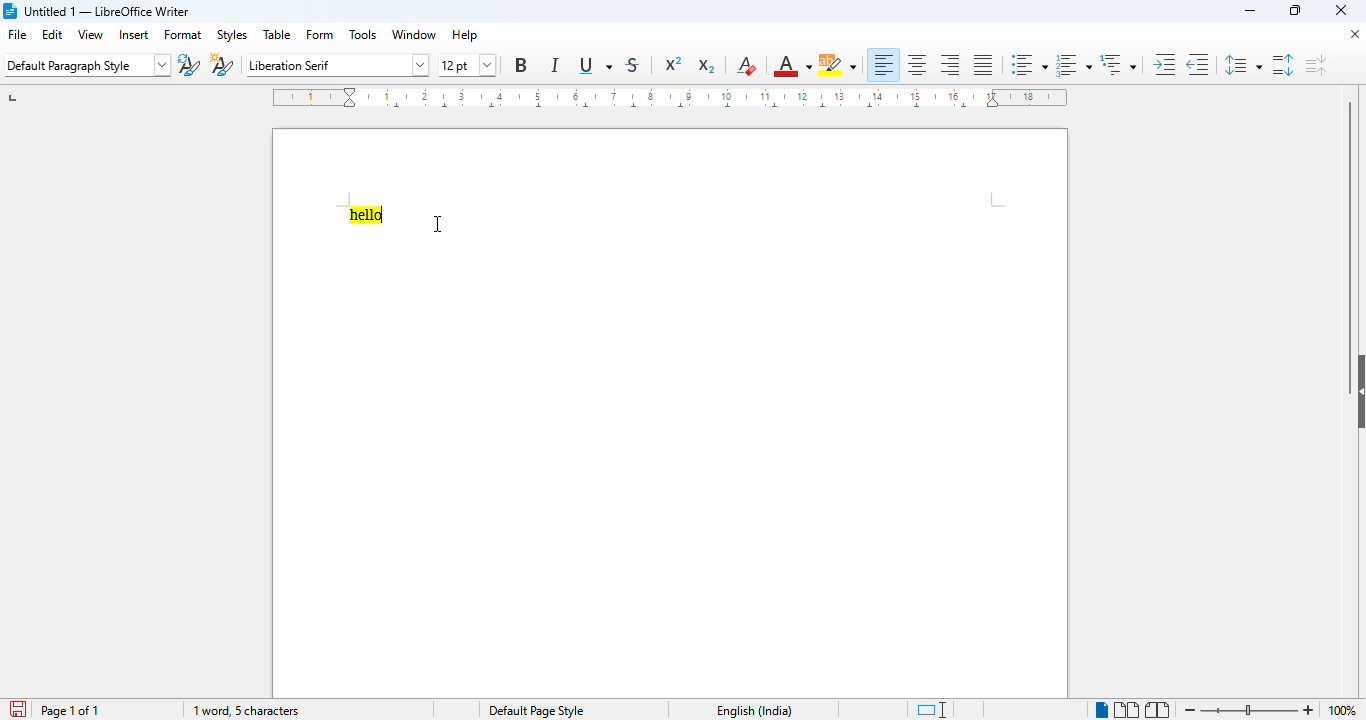 This screenshot has width=1366, height=720. What do you see at coordinates (1190, 709) in the screenshot?
I see `zoom out` at bounding box center [1190, 709].